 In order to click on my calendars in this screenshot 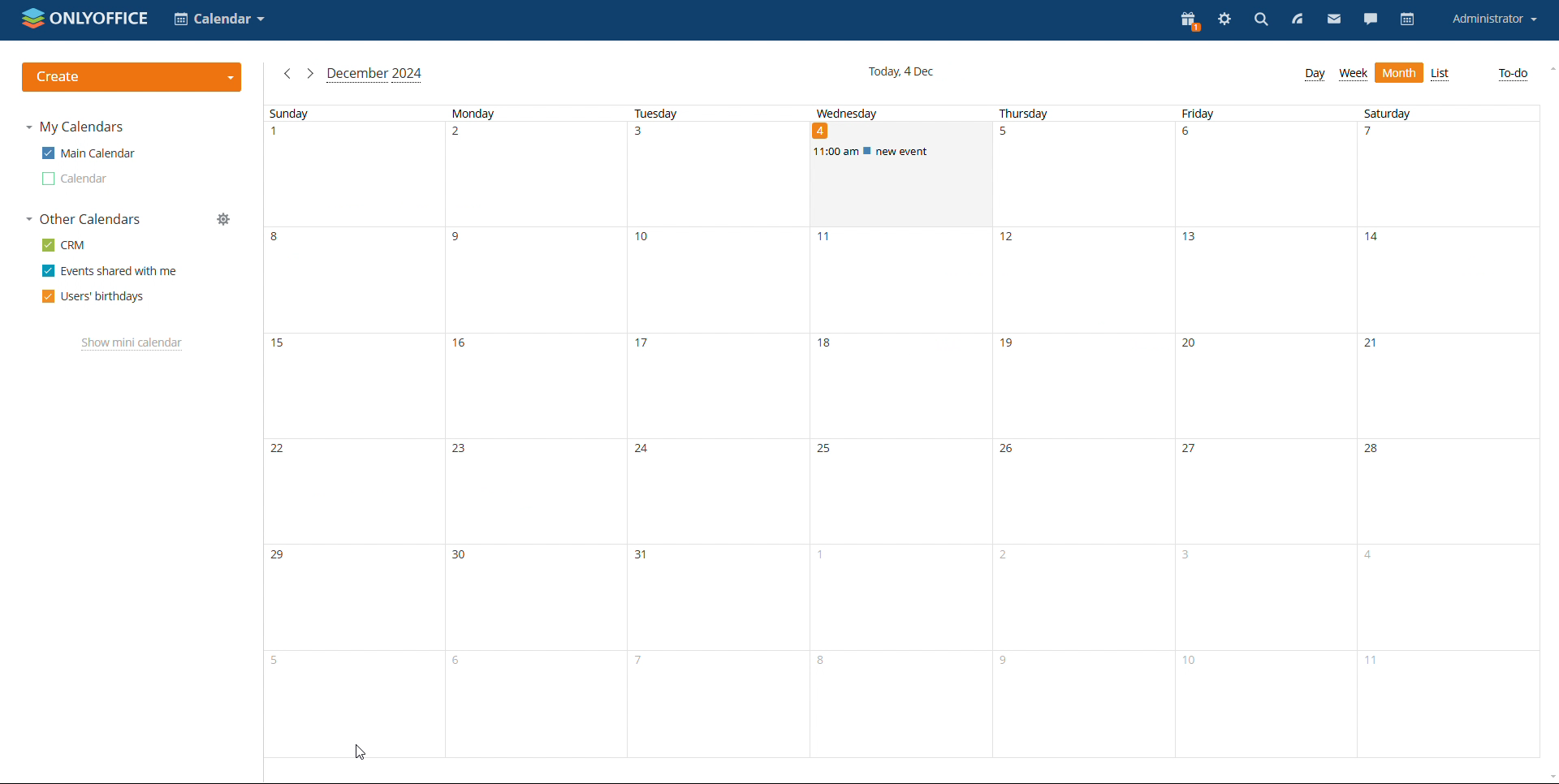, I will do `click(76, 127)`.